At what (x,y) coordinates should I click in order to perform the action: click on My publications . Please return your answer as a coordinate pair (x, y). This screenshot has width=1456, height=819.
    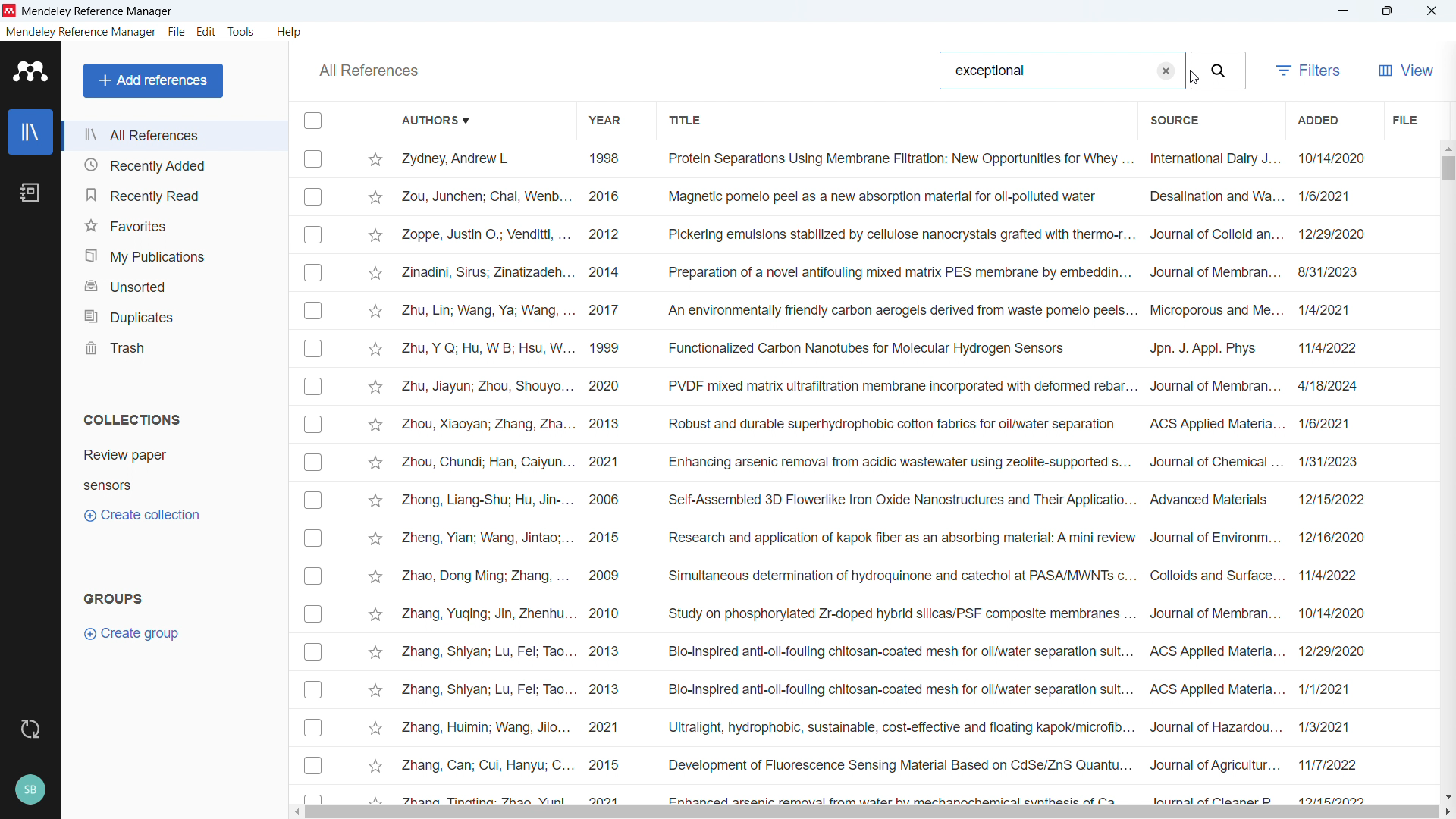
    Looking at the image, I should click on (172, 254).